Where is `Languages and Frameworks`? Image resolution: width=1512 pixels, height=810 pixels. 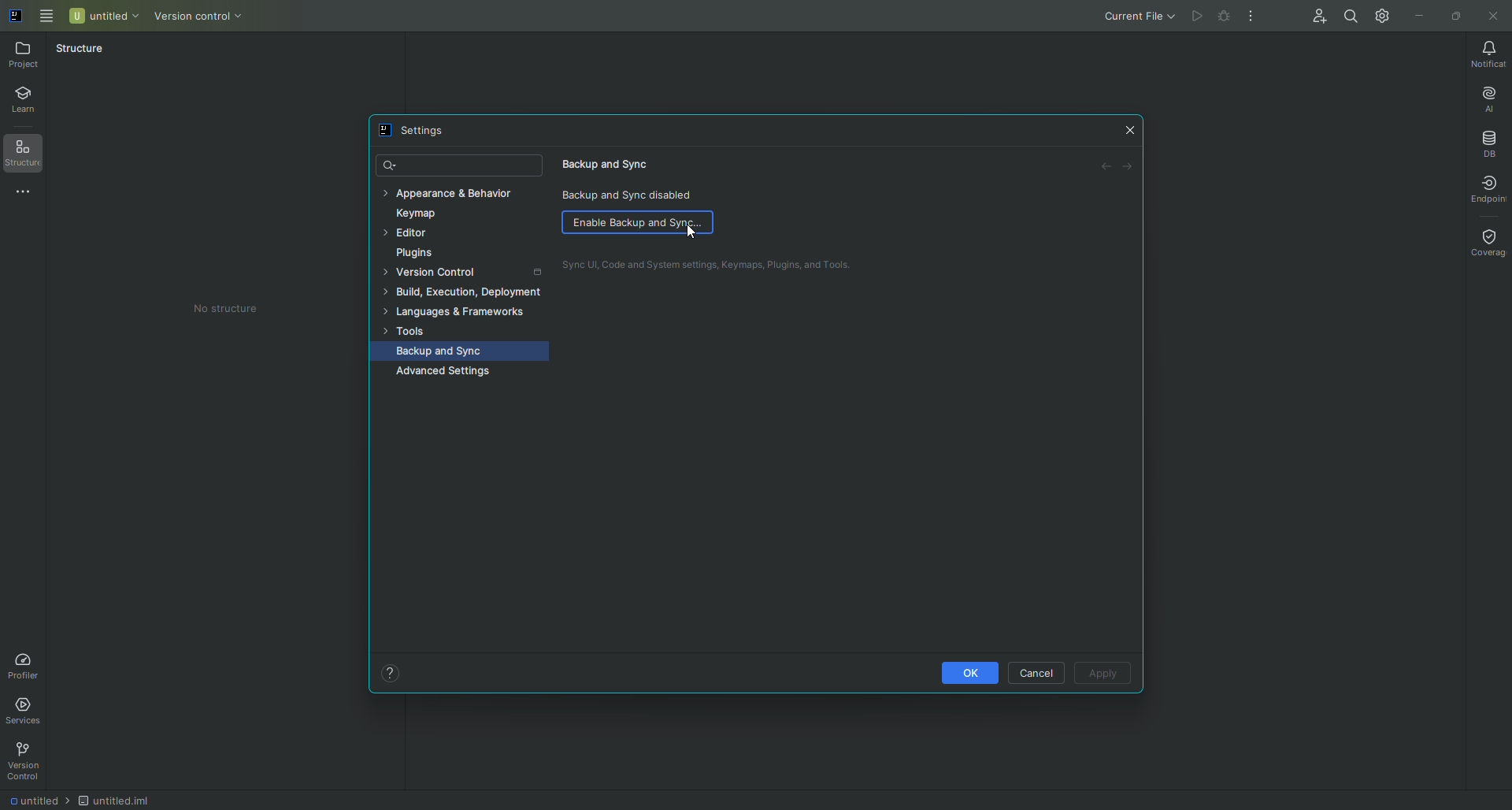 Languages and Frameworks is located at coordinates (462, 313).